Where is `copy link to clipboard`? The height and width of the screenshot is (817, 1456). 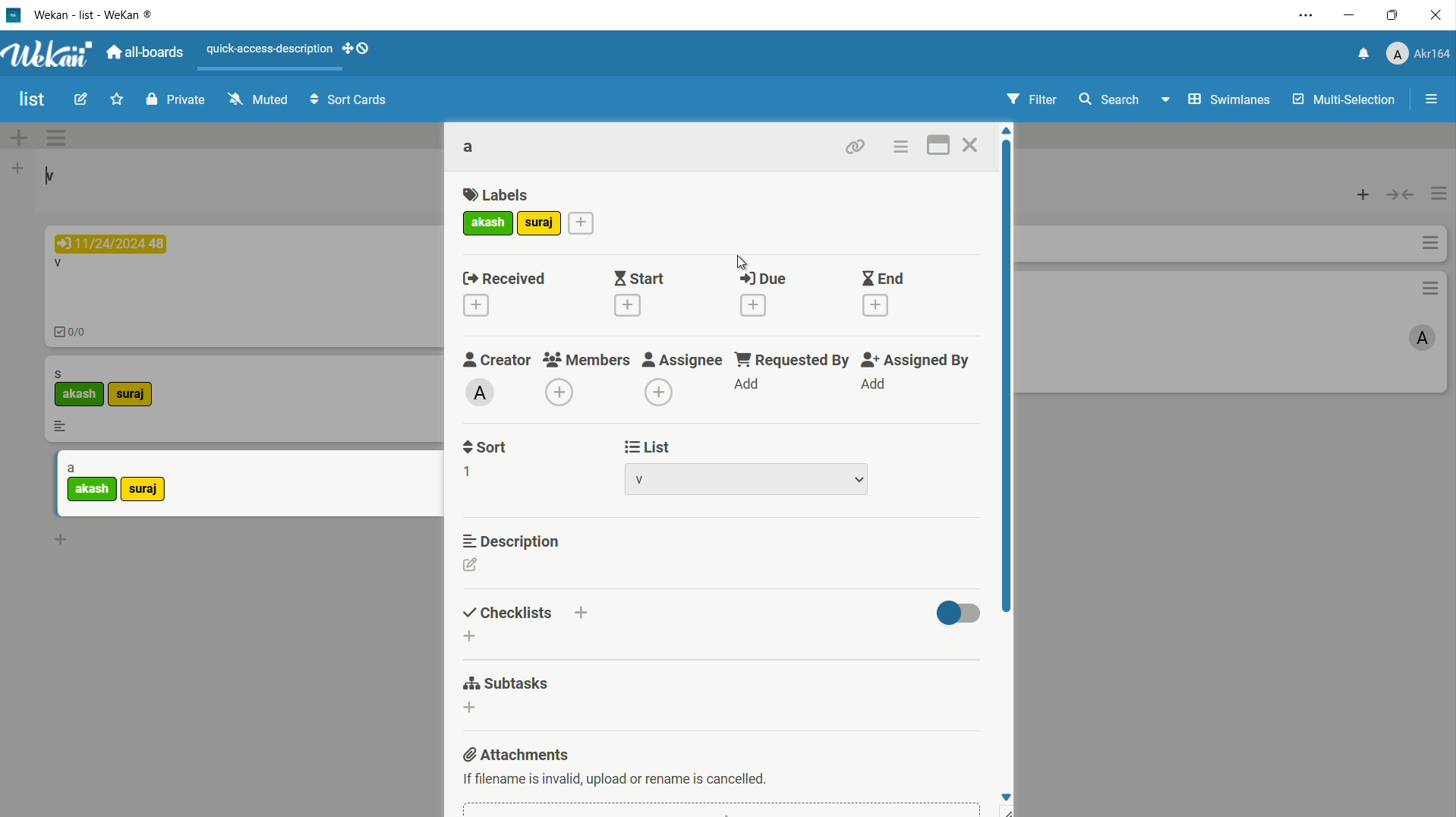
copy link to clipboard is located at coordinates (852, 147).